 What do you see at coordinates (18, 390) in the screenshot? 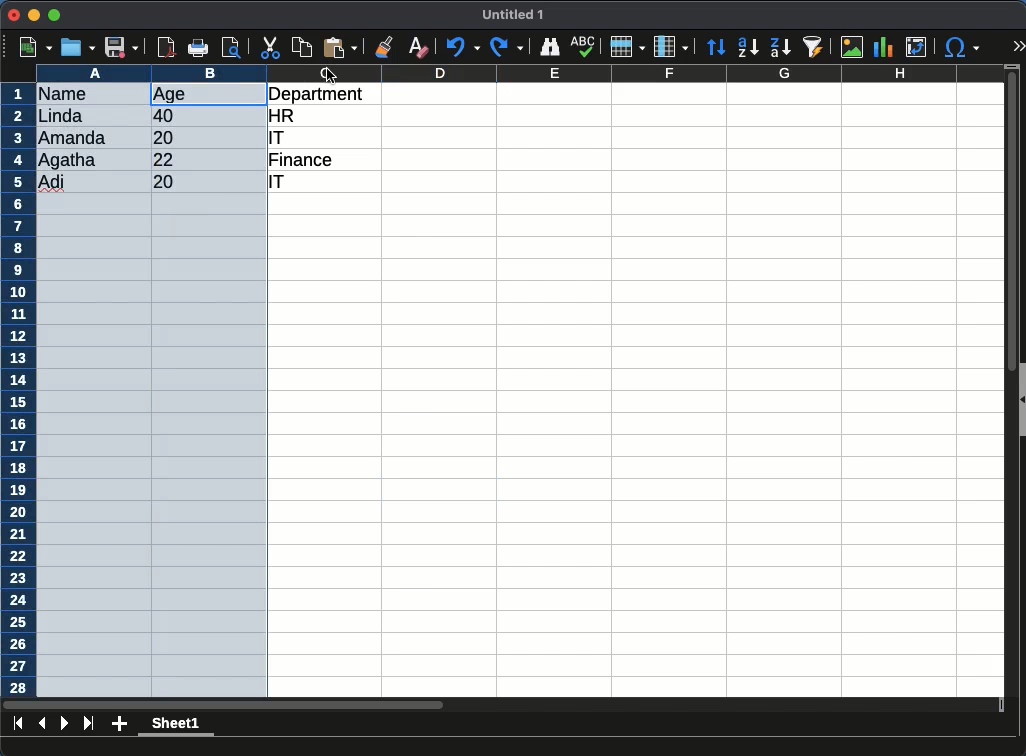
I see `rows` at bounding box center [18, 390].